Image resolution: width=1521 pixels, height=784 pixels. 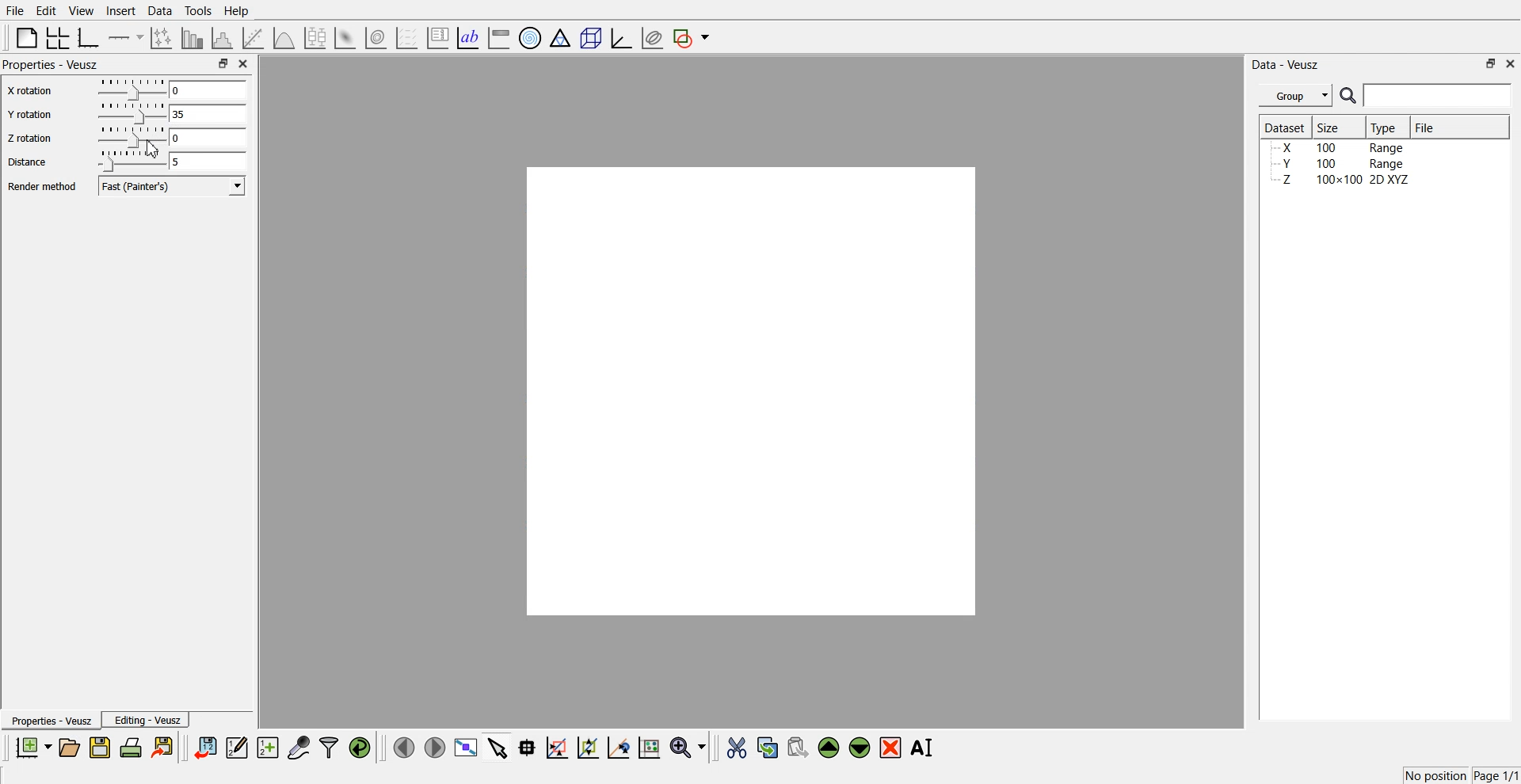 I want to click on Polar Graph, so click(x=530, y=38).